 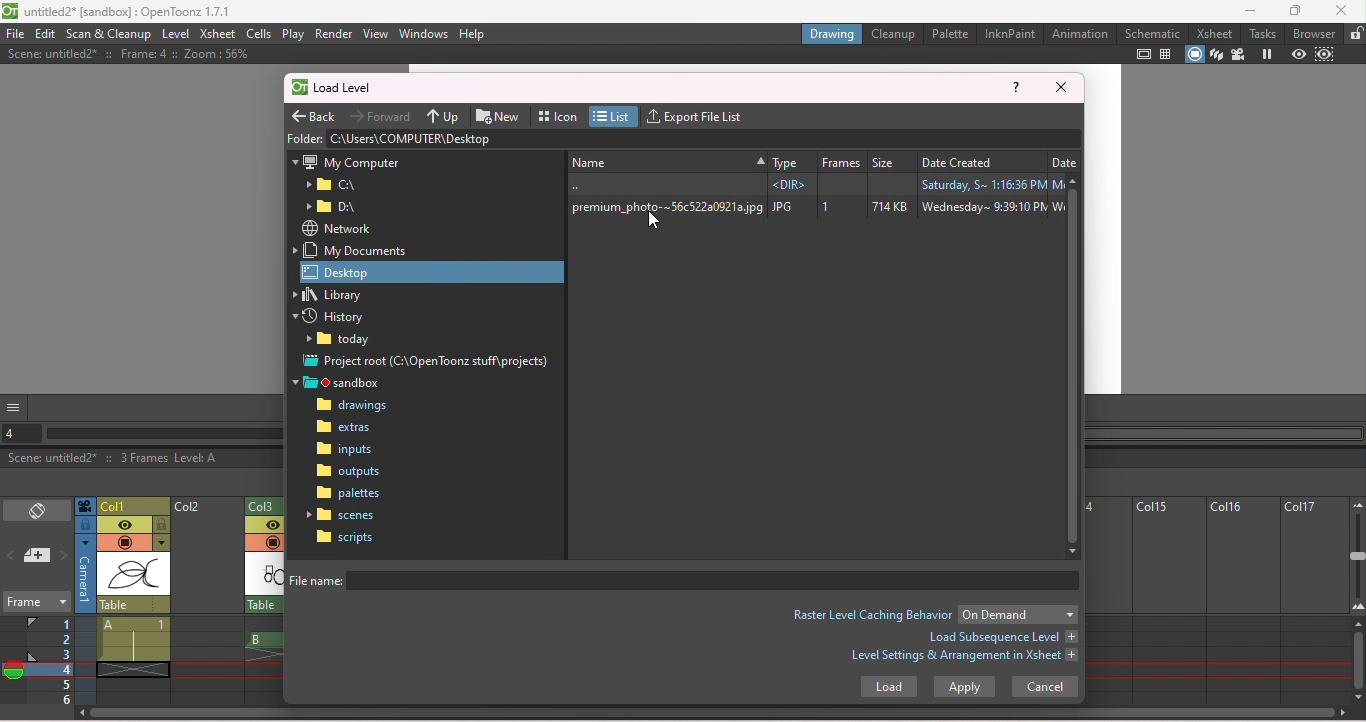 I want to click on GUI show/hide, so click(x=15, y=407).